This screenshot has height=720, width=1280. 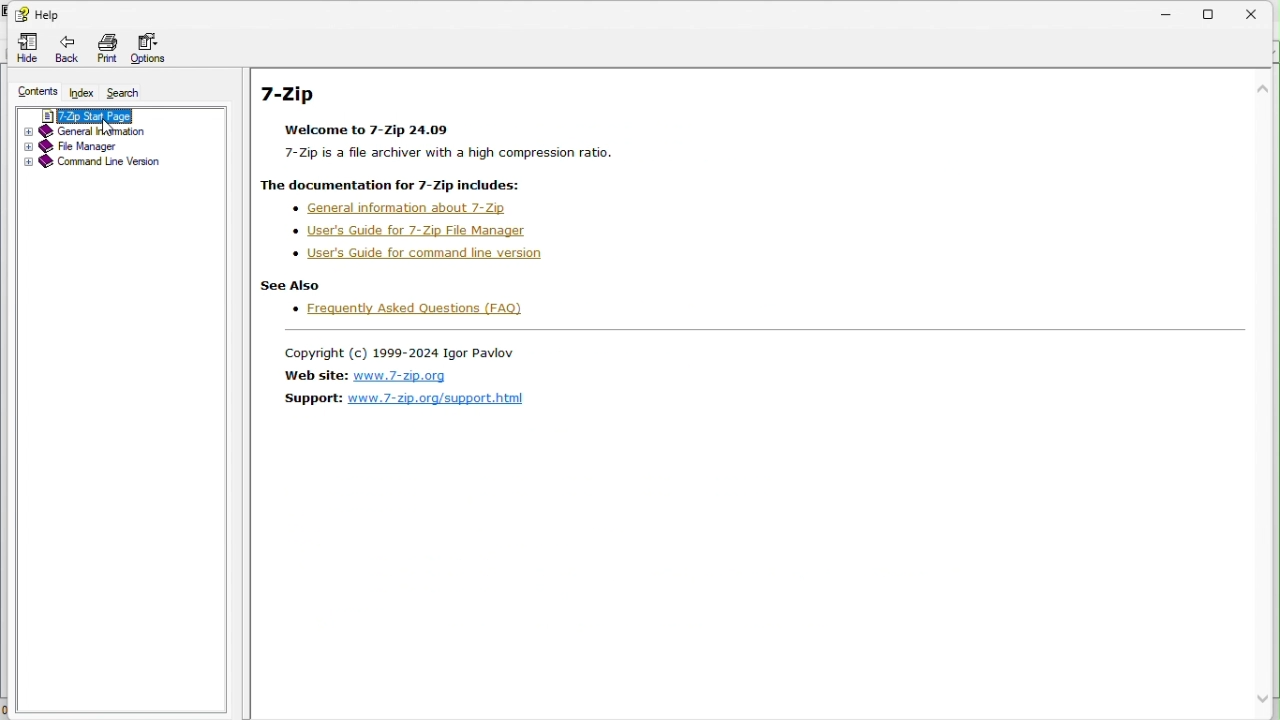 What do you see at coordinates (135, 91) in the screenshot?
I see `Search` at bounding box center [135, 91].